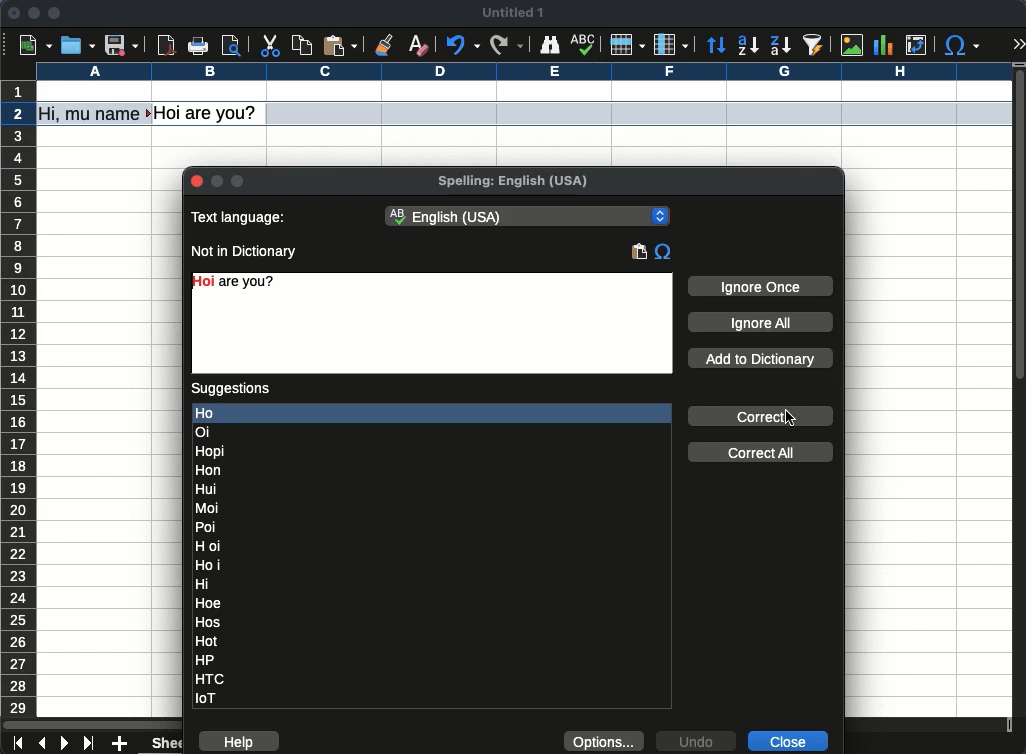  What do you see at coordinates (791, 741) in the screenshot?
I see `close` at bounding box center [791, 741].